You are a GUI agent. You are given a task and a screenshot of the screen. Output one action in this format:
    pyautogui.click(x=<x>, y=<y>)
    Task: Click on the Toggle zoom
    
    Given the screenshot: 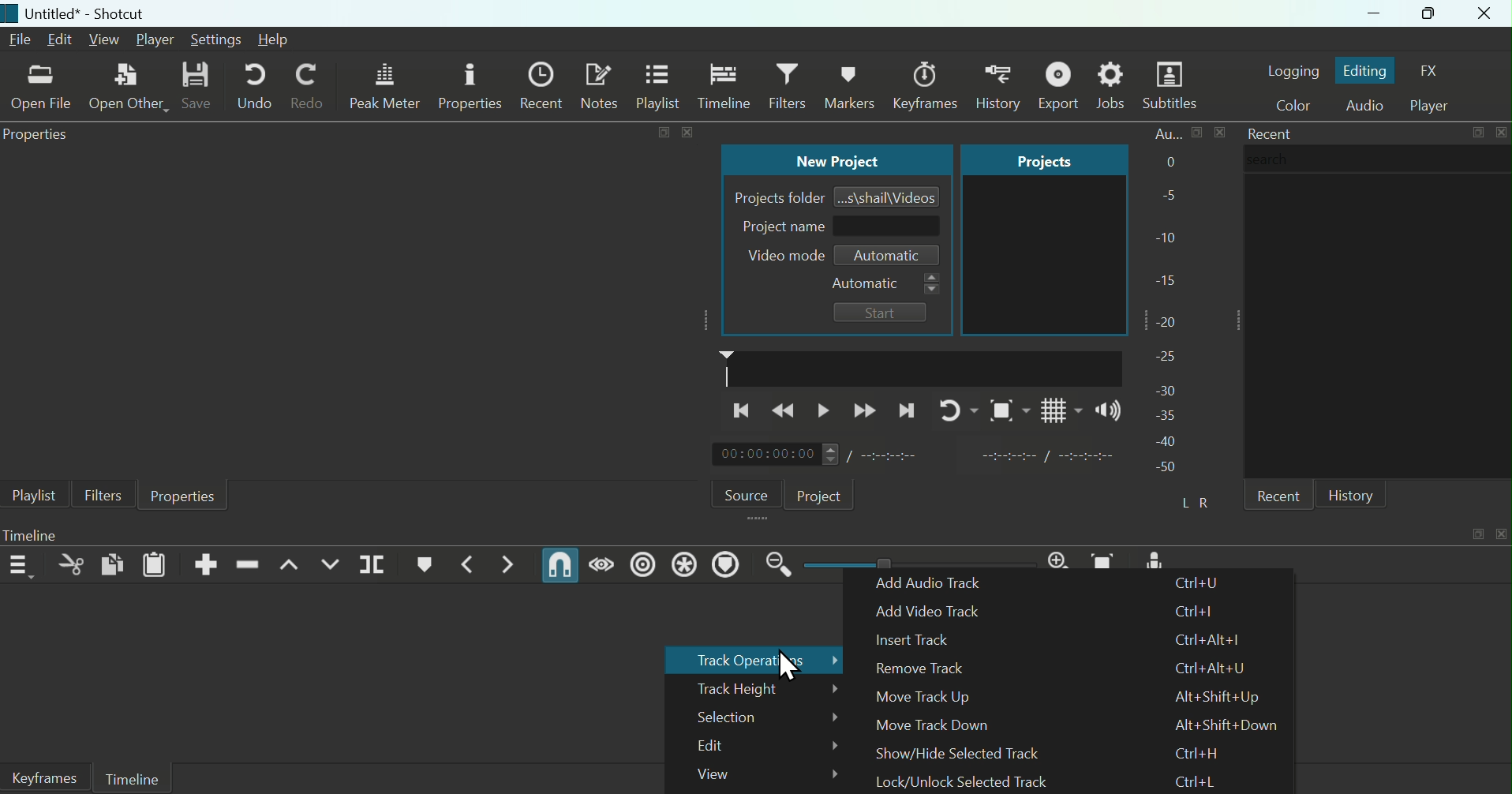 What is the action you would take?
    pyautogui.click(x=1003, y=410)
    